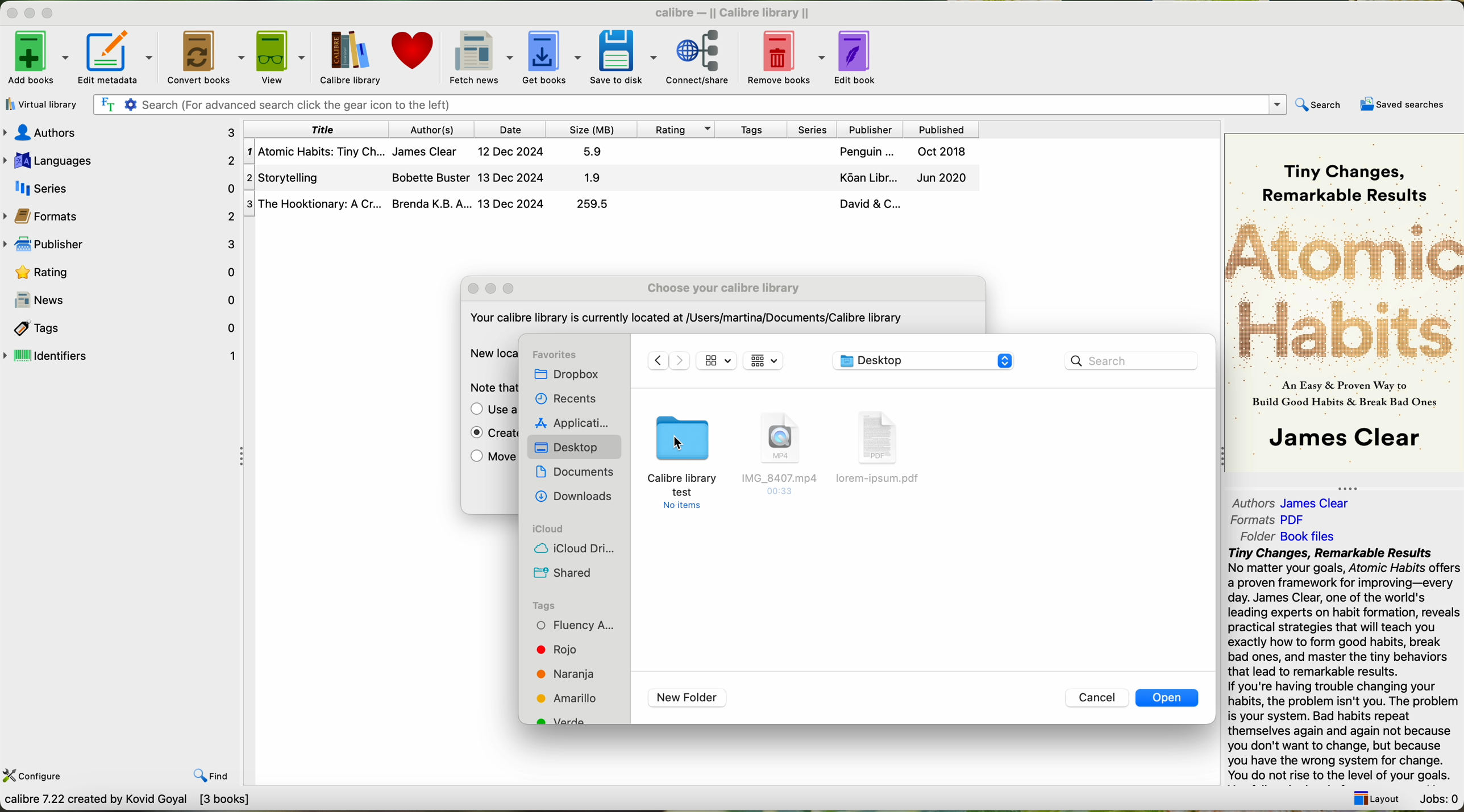 Image resolution: width=1464 pixels, height=812 pixels. What do you see at coordinates (564, 400) in the screenshot?
I see `recents` at bounding box center [564, 400].